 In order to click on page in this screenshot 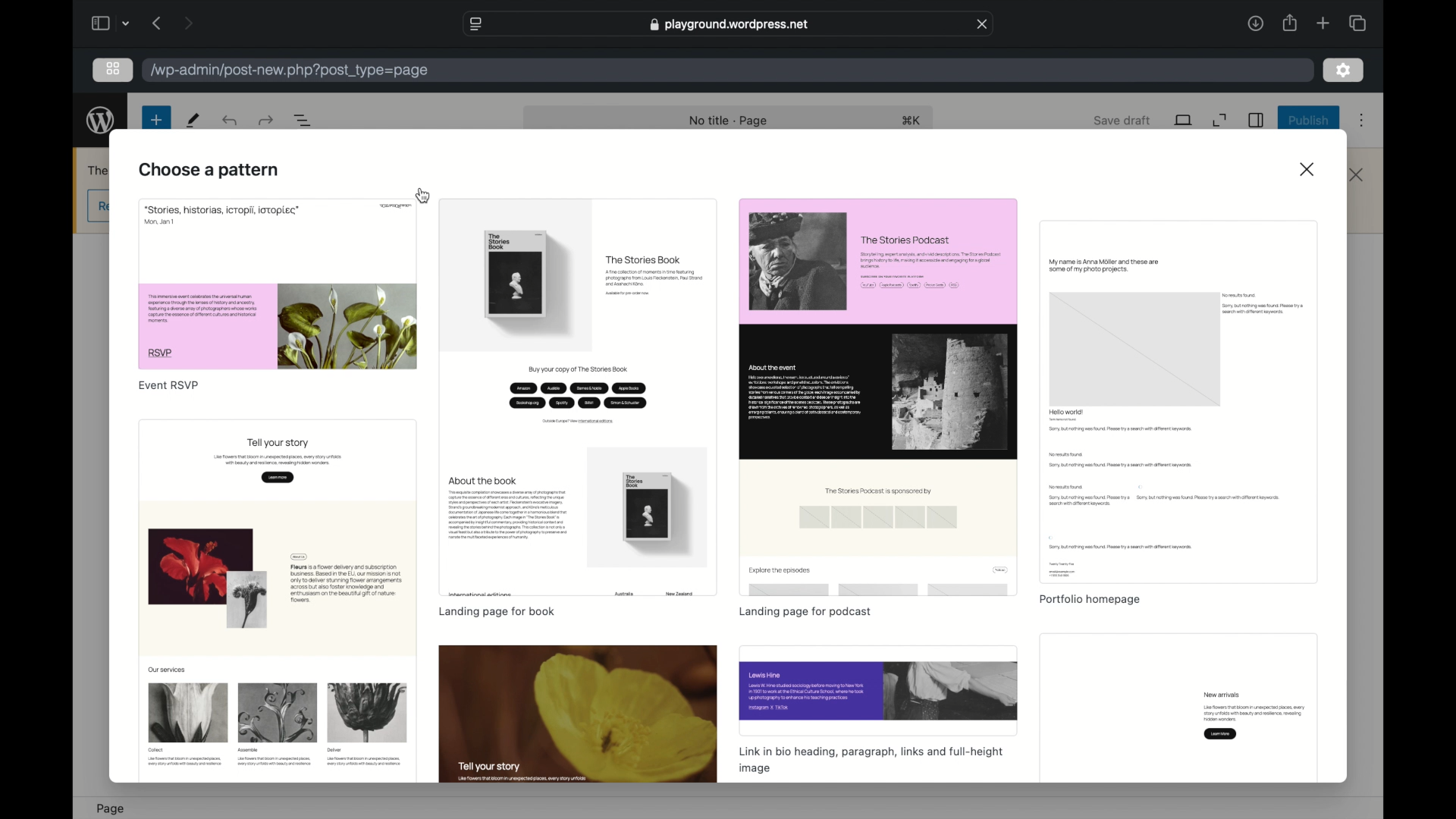, I will do `click(111, 809)`.